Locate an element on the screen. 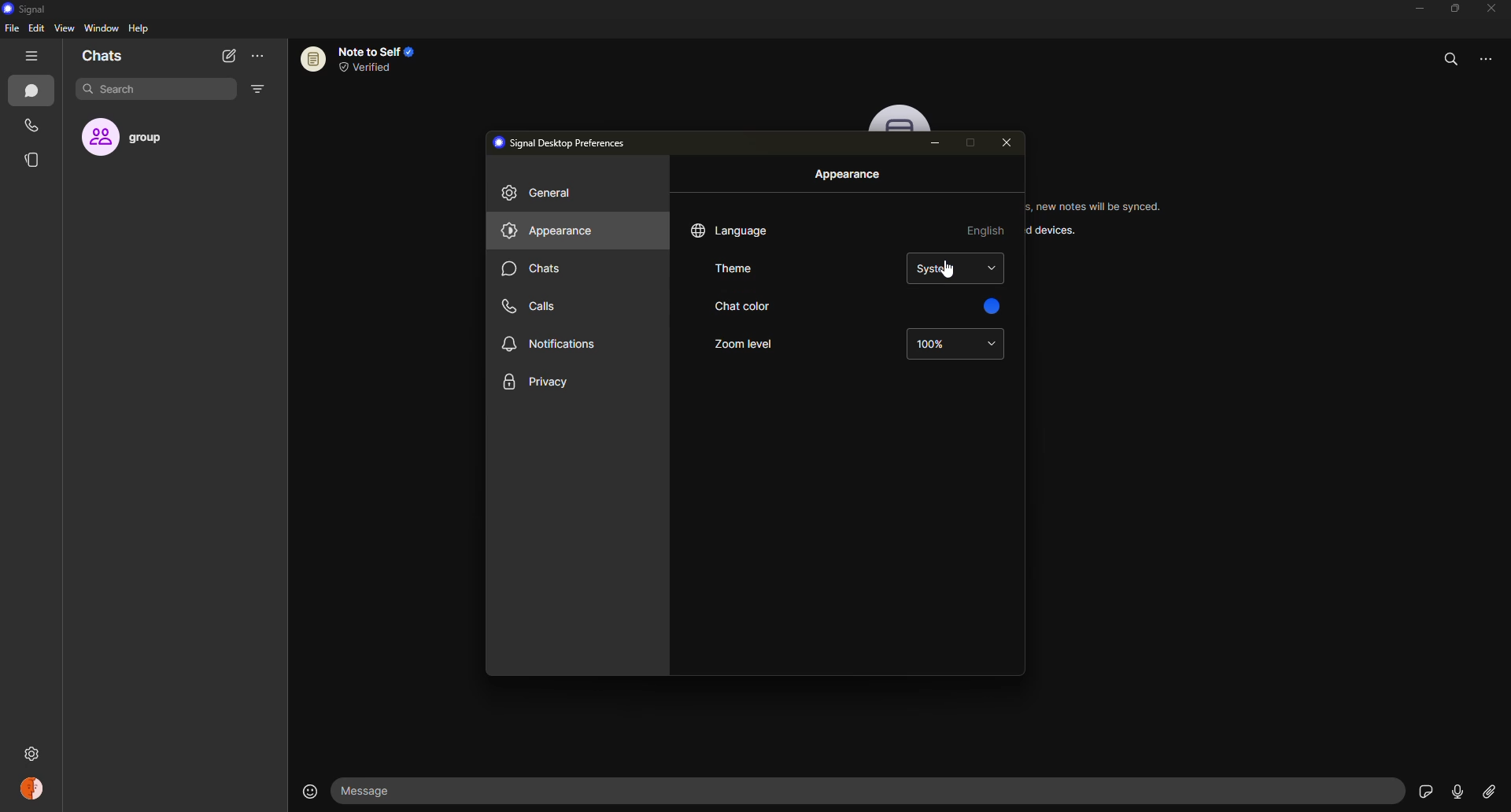  settings is located at coordinates (104, 754).